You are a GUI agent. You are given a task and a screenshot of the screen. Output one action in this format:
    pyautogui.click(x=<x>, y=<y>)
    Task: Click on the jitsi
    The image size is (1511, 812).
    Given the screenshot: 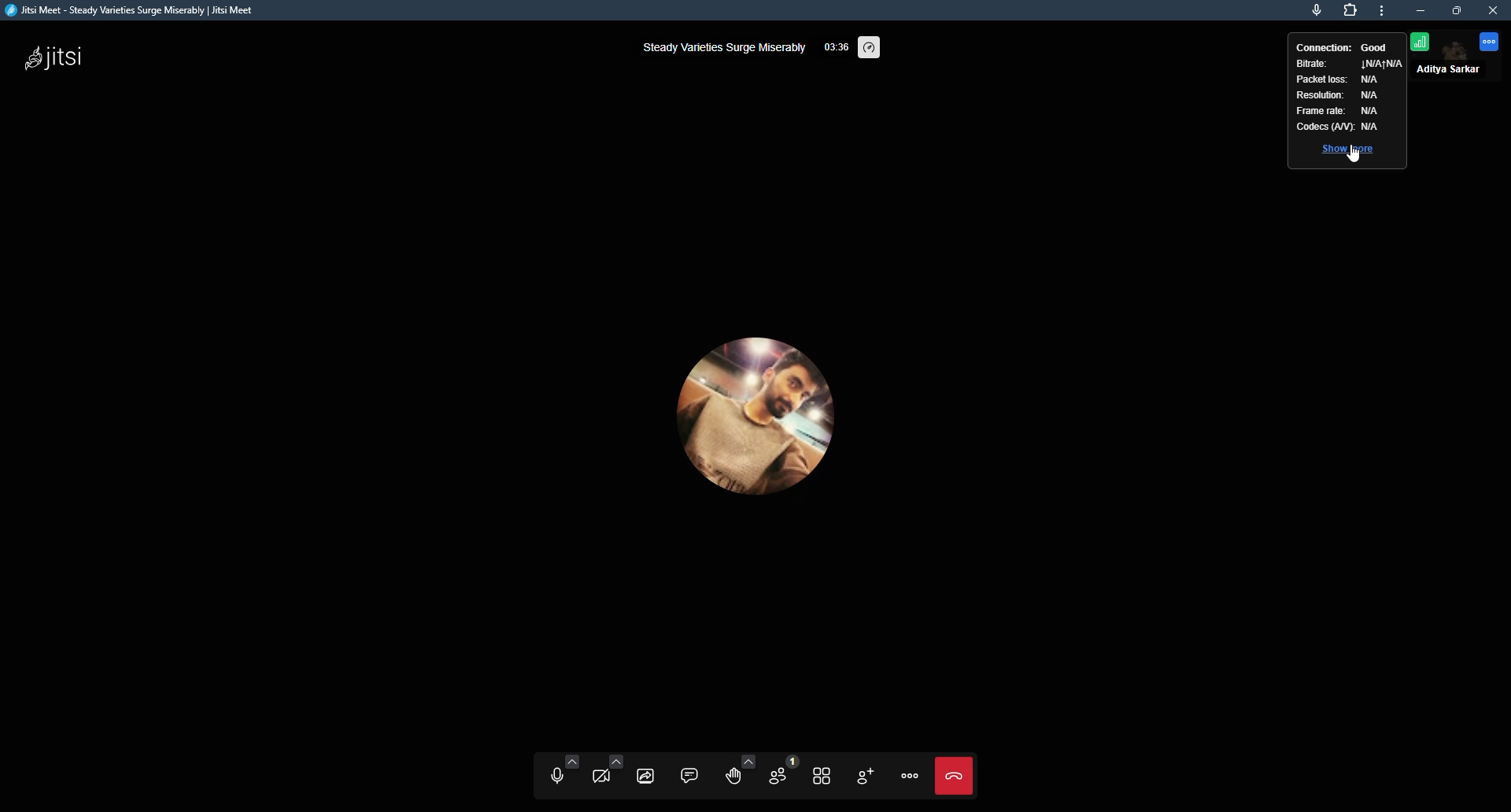 What is the action you would take?
    pyautogui.click(x=65, y=64)
    